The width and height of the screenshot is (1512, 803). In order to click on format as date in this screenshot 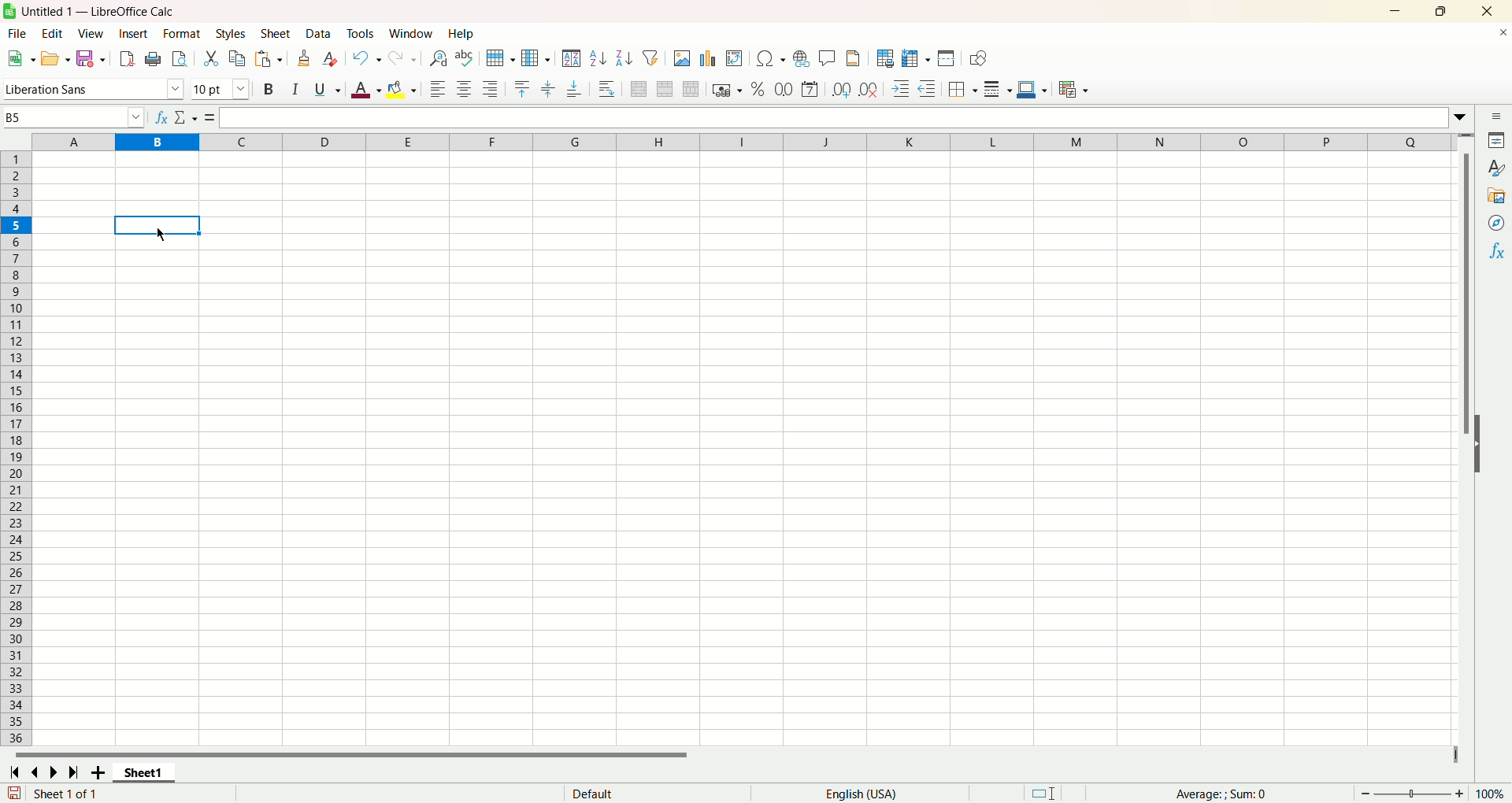, I will do `click(810, 89)`.